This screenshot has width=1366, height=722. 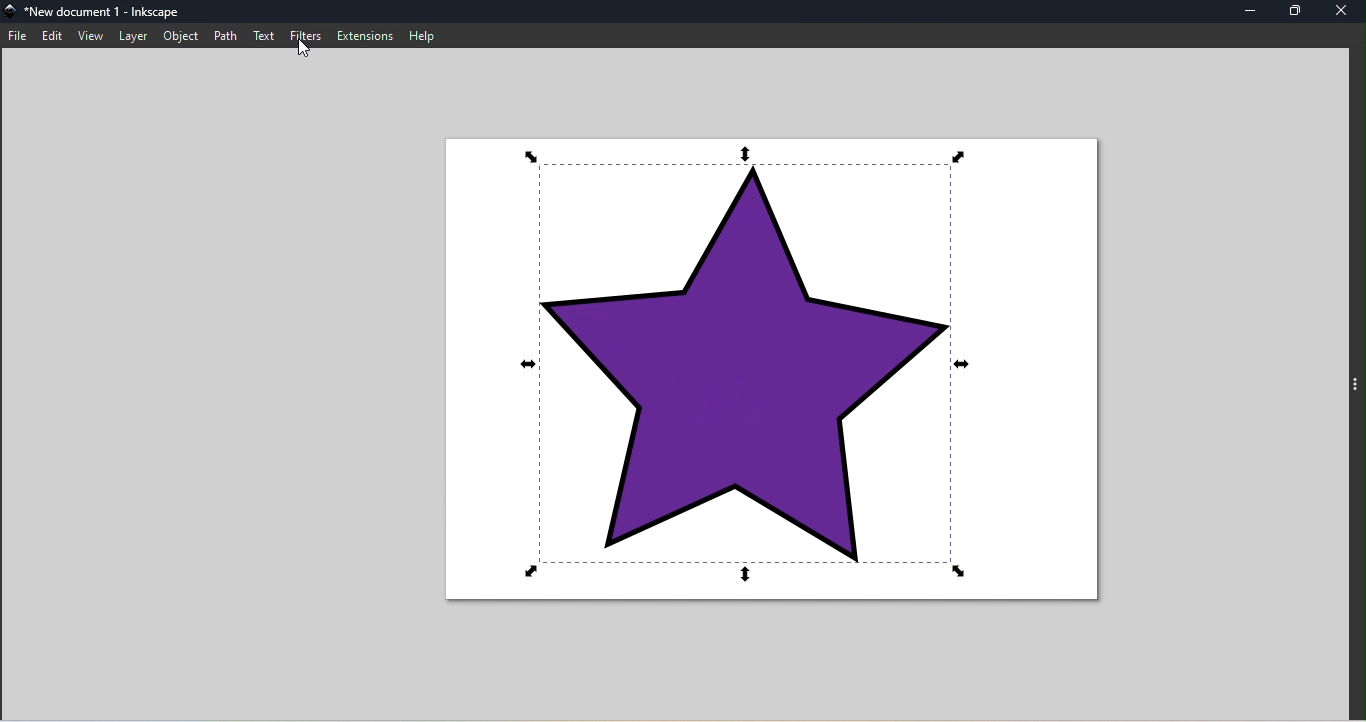 What do you see at coordinates (367, 37) in the screenshot?
I see `Extensions` at bounding box center [367, 37].